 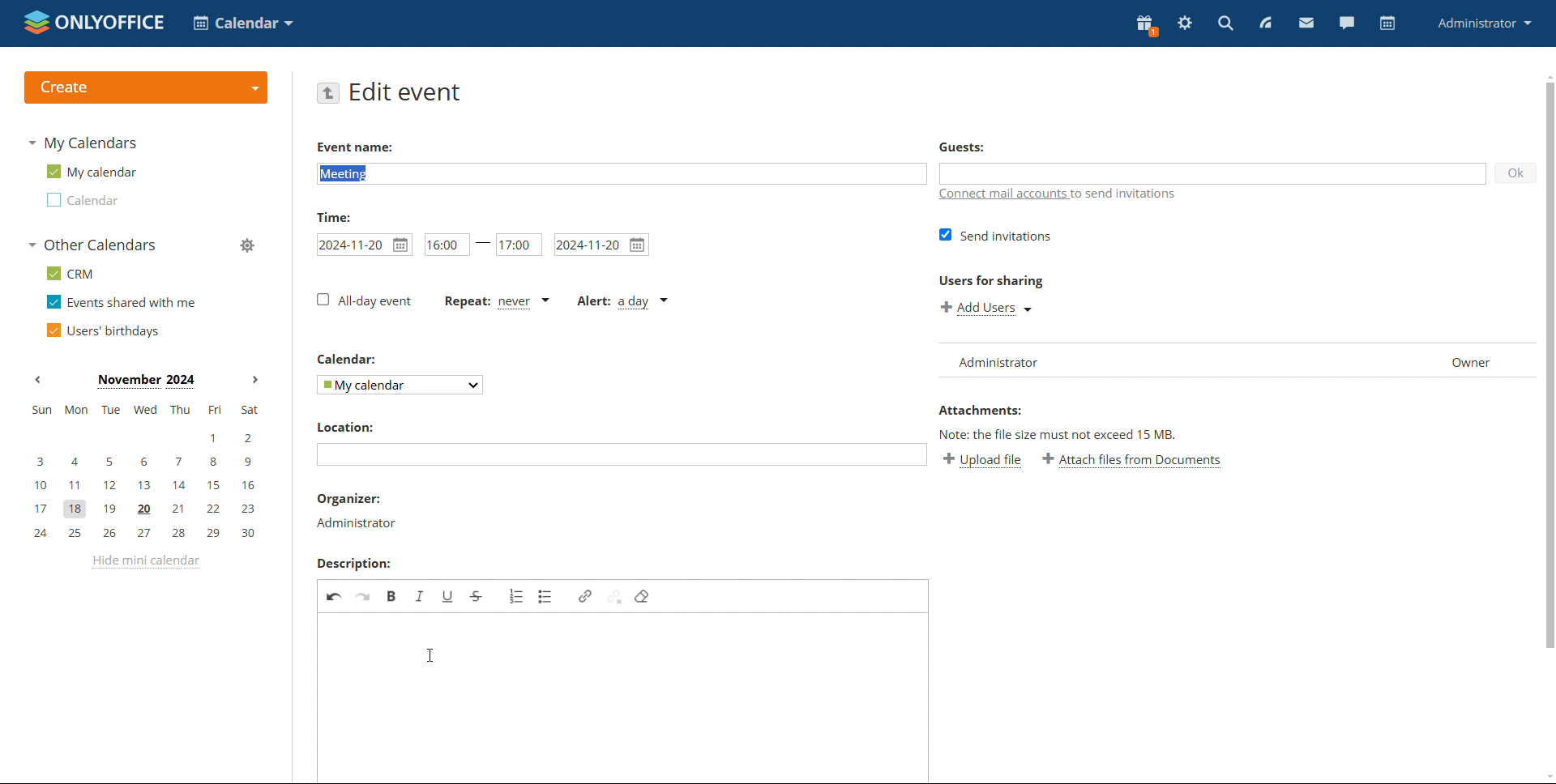 What do you see at coordinates (353, 564) in the screenshot?
I see `description` at bounding box center [353, 564].